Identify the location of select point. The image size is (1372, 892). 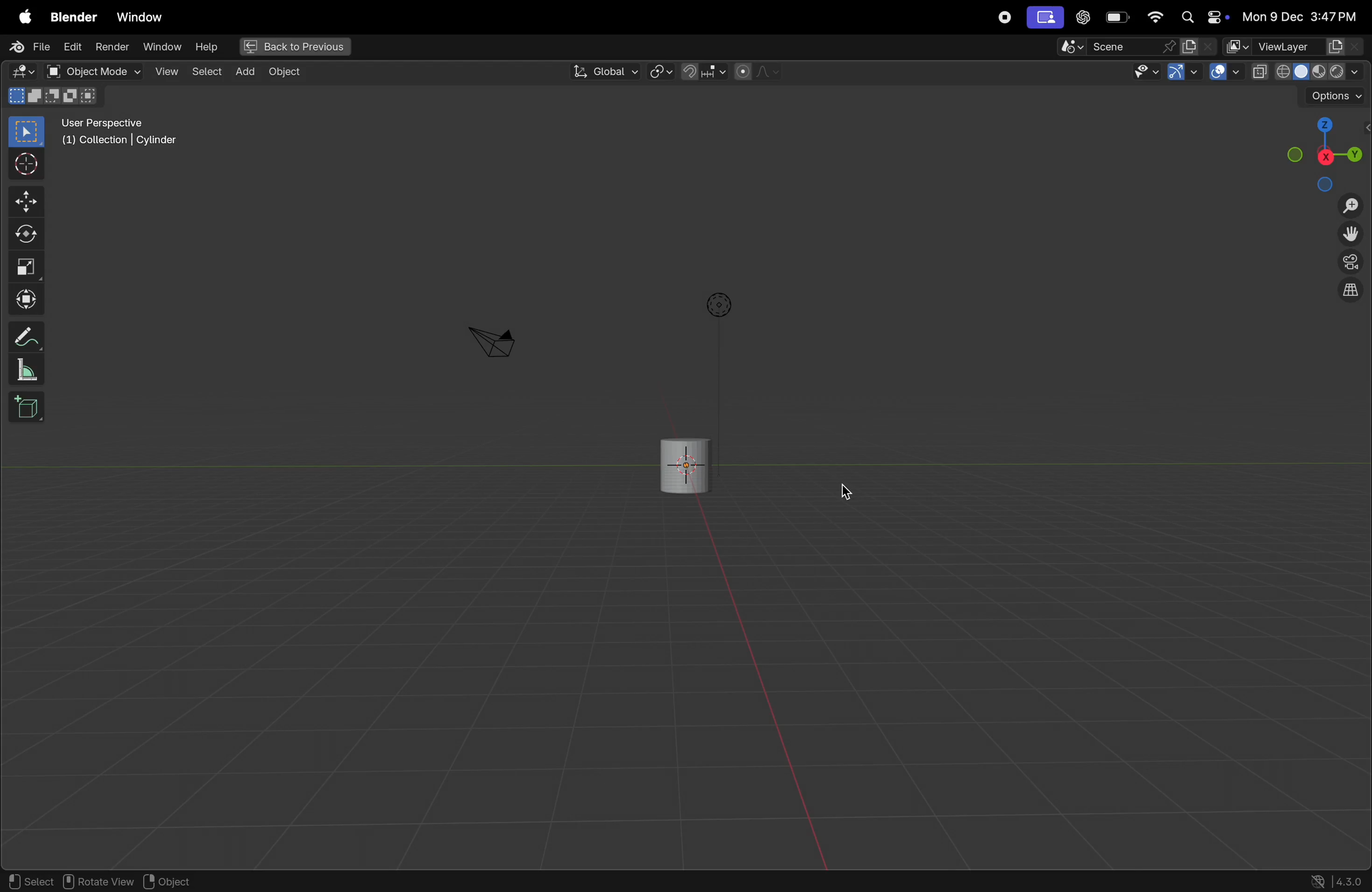
(26, 131).